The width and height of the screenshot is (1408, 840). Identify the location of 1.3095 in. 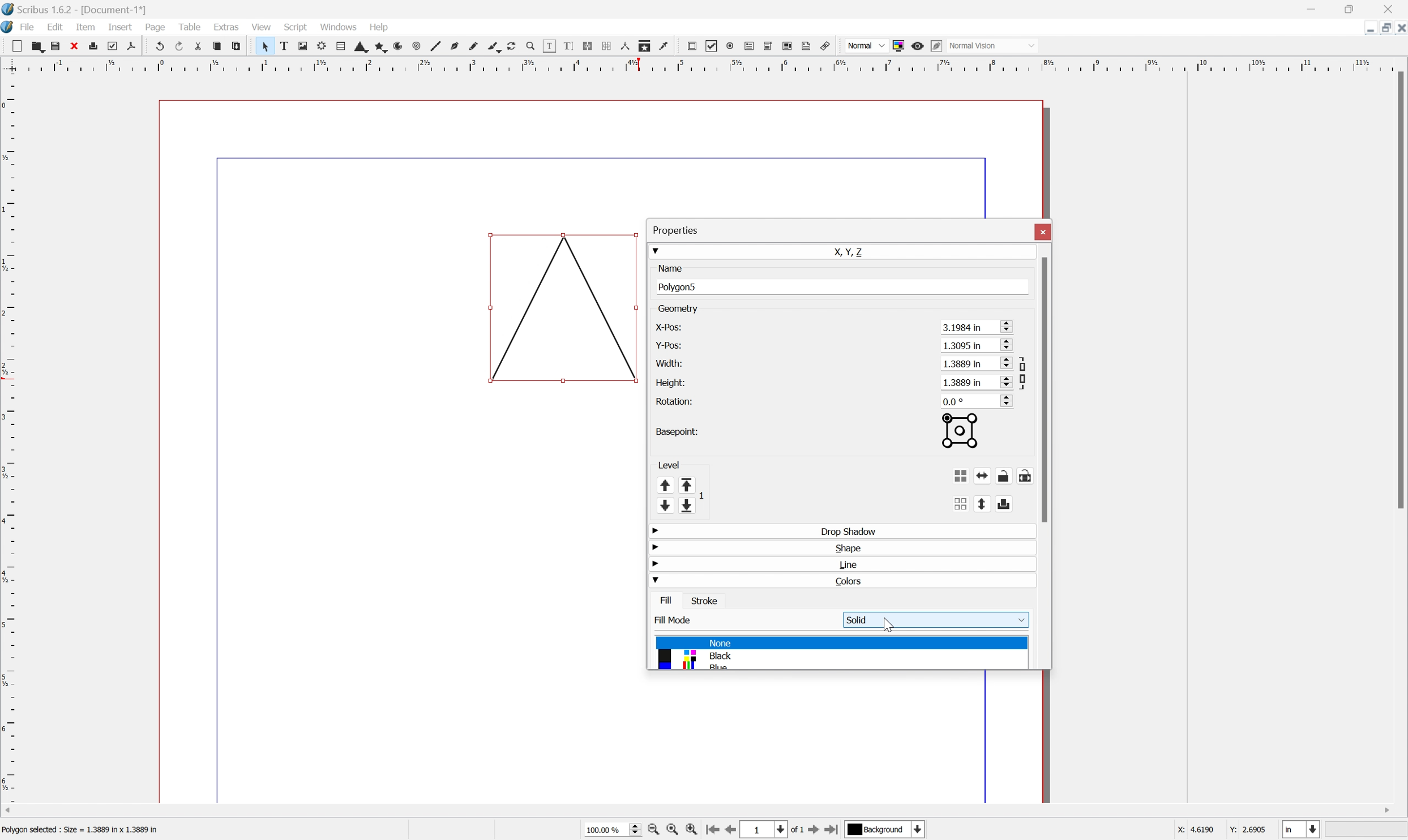
(978, 346).